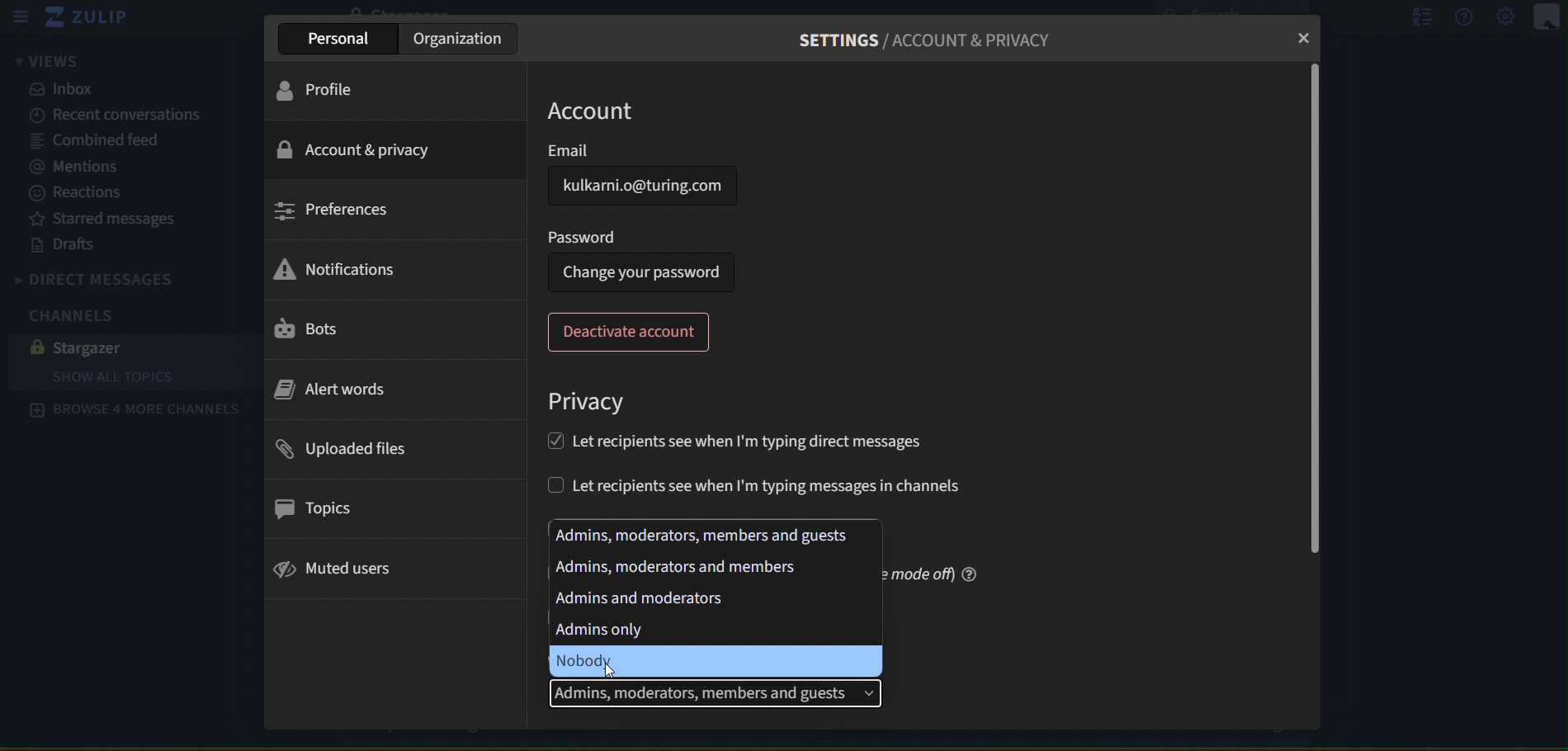  I want to click on show all topics, so click(143, 378).